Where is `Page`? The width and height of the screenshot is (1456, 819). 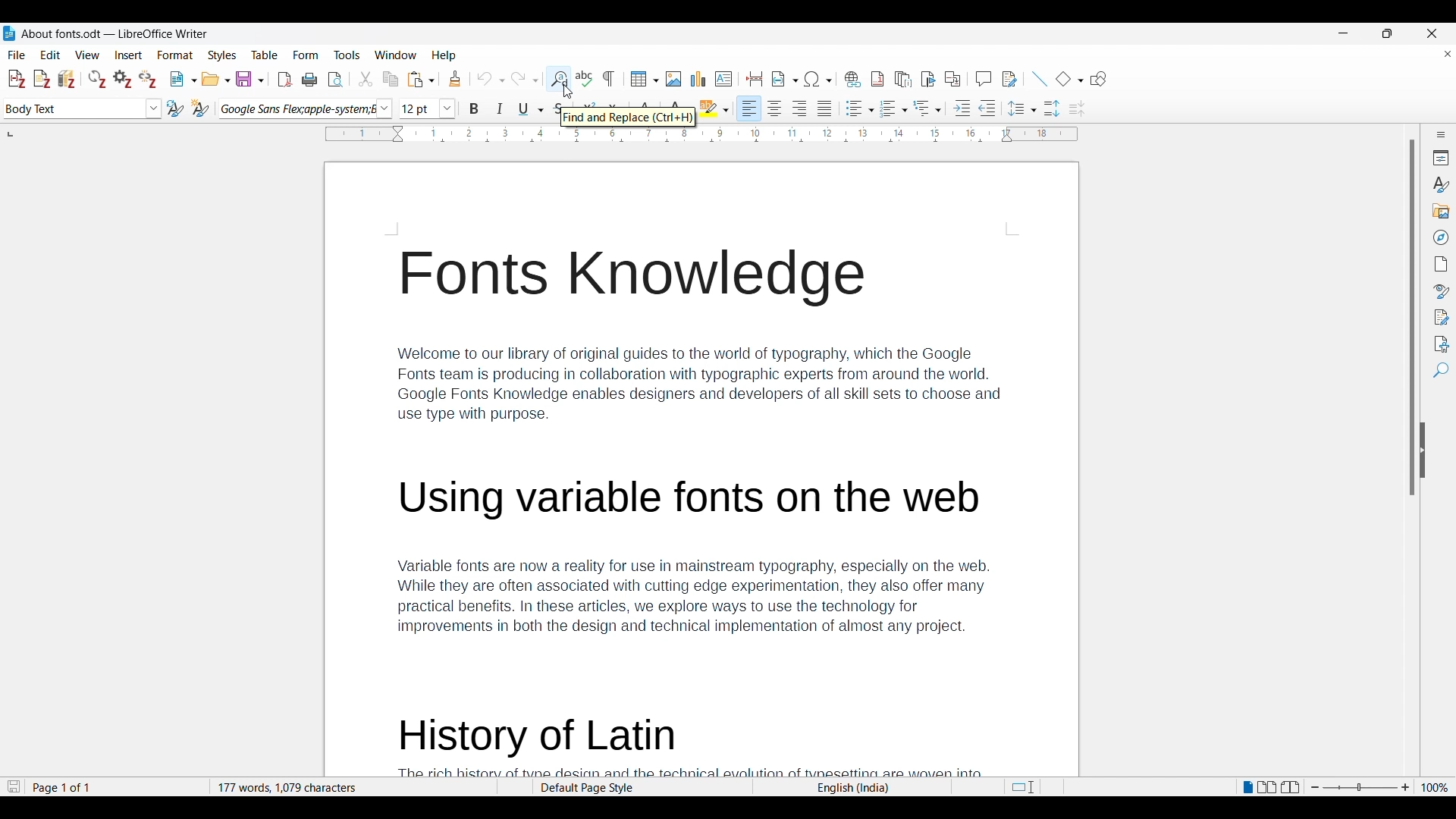 Page is located at coordinates (1440, 264).